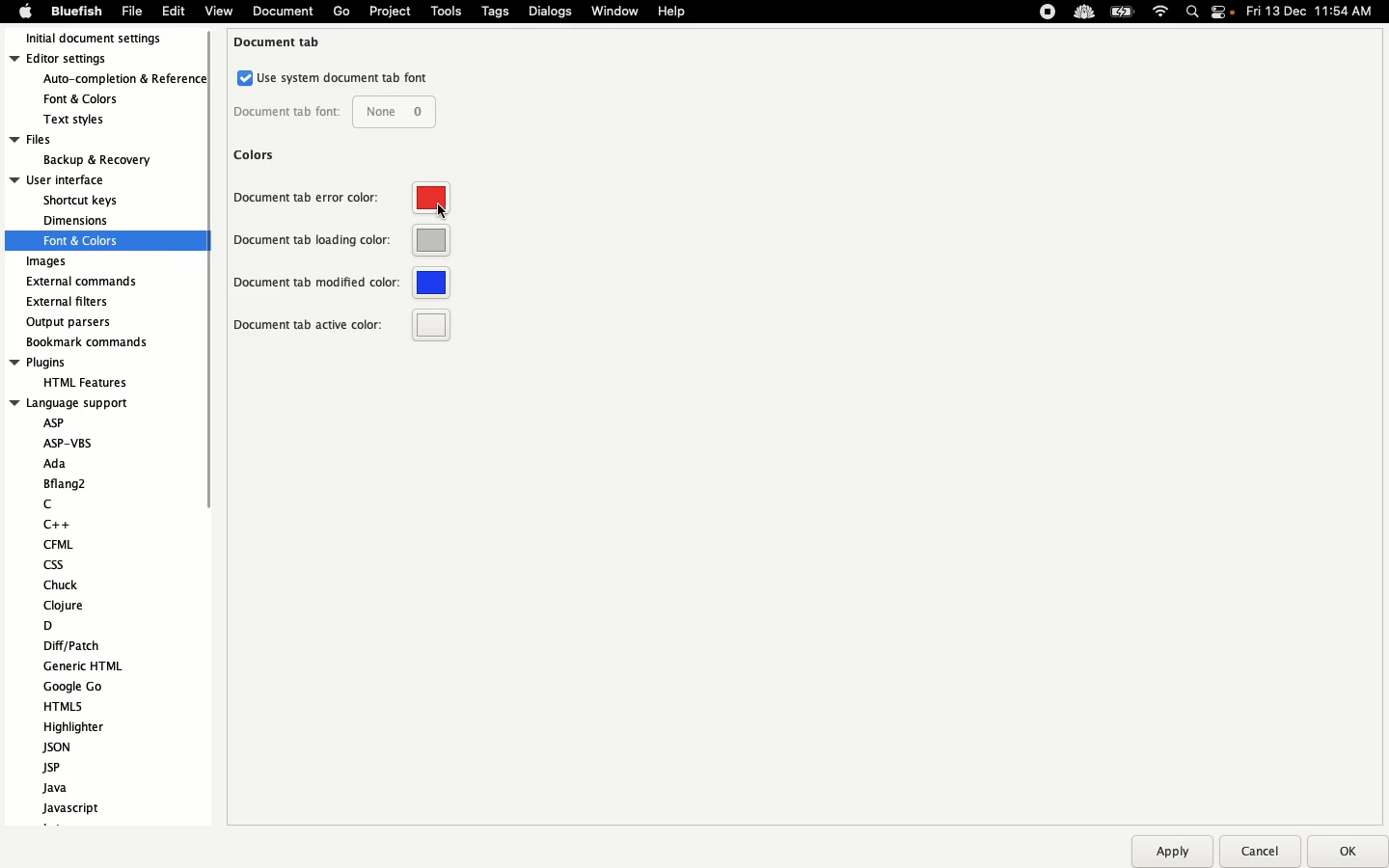 The height and width of the screenshot is (868, 1389). Describe the element at coordinates (174, 11) in the screenshot. I see `Edit` at that location.